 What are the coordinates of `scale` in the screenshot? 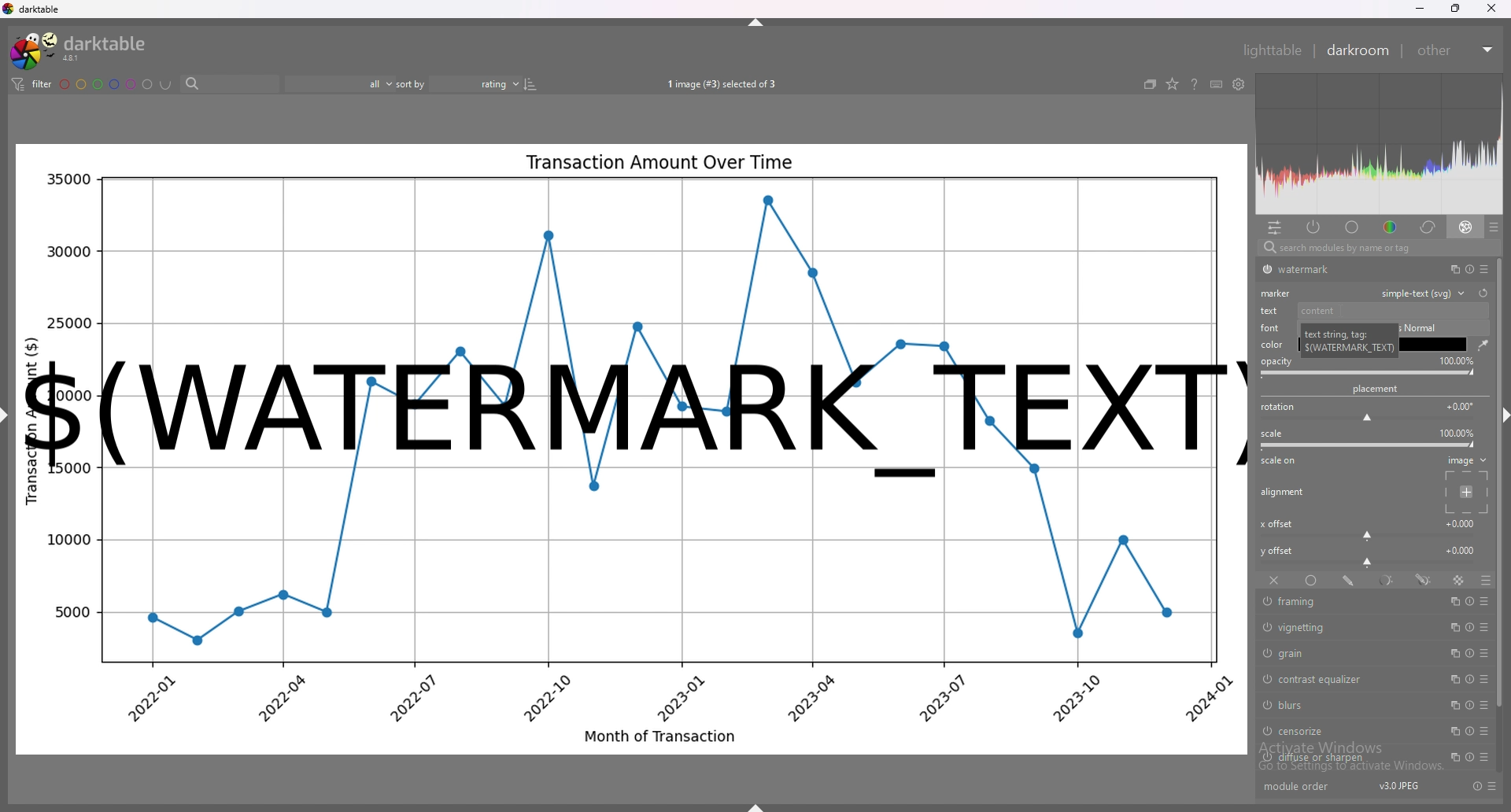 It's located at (1272, 434).